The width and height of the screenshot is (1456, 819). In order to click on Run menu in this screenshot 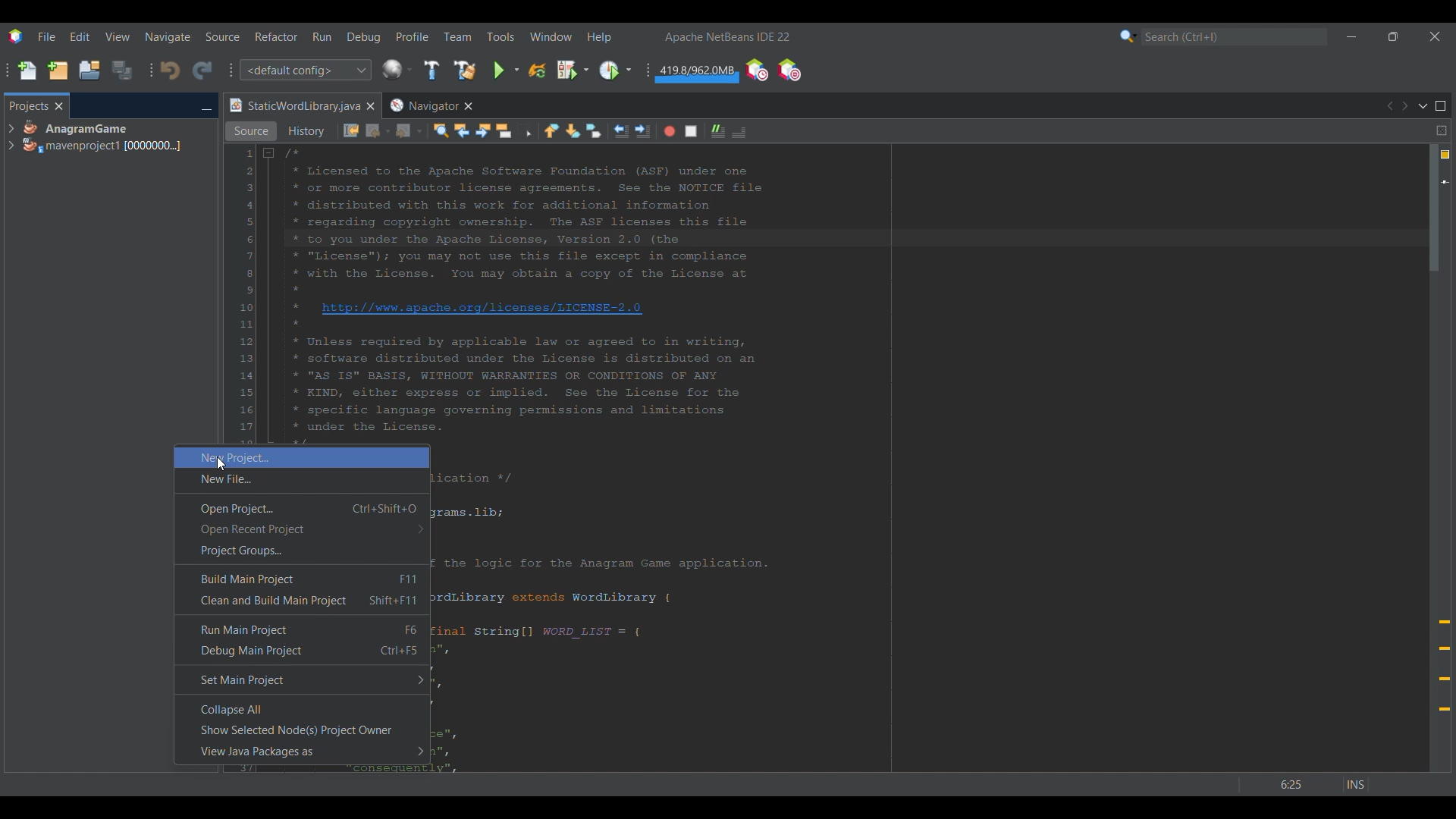, I will do `click(322, 36)`.